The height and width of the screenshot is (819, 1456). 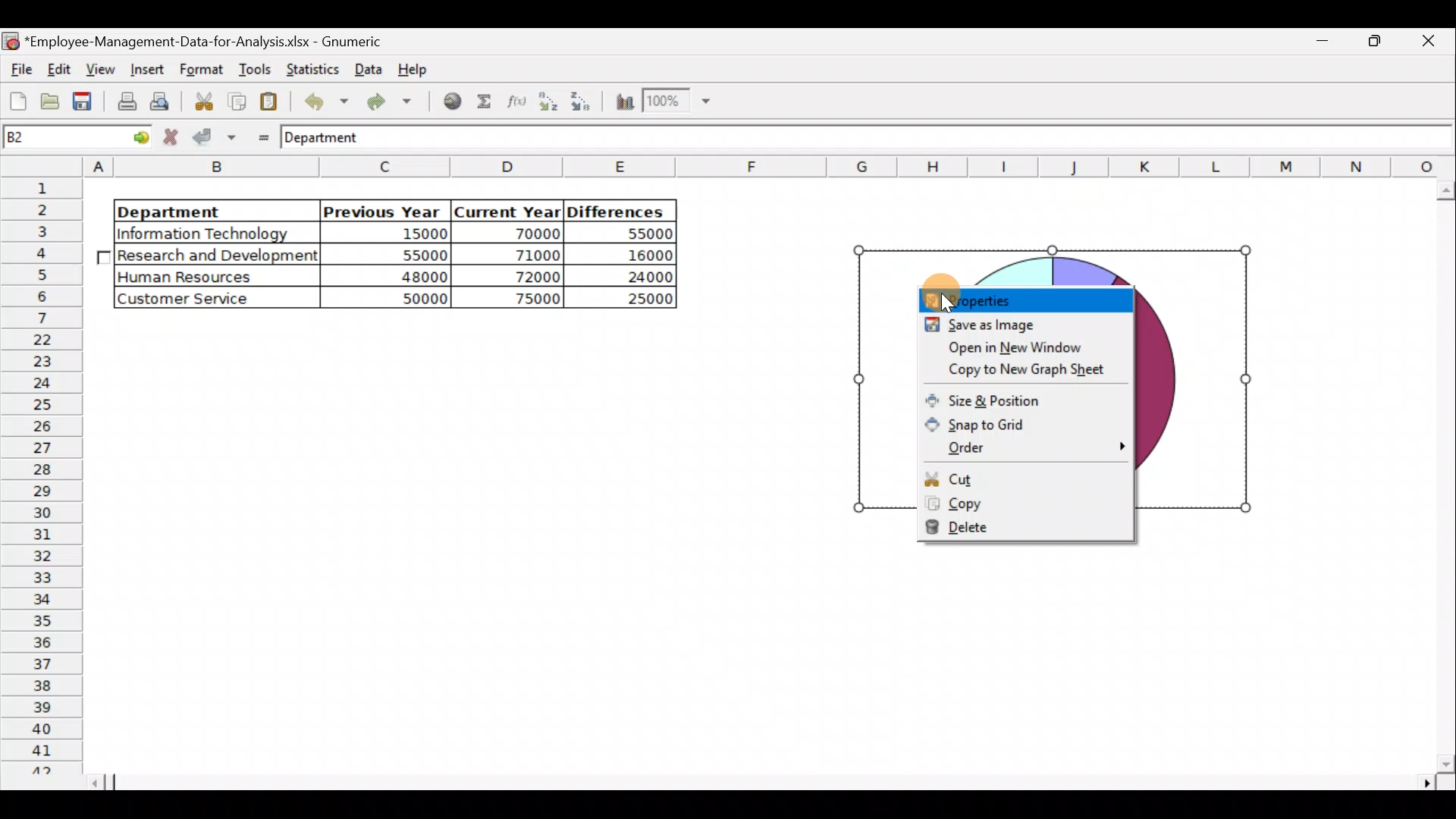 I want to click on 55000, so click(x=416, y=255).